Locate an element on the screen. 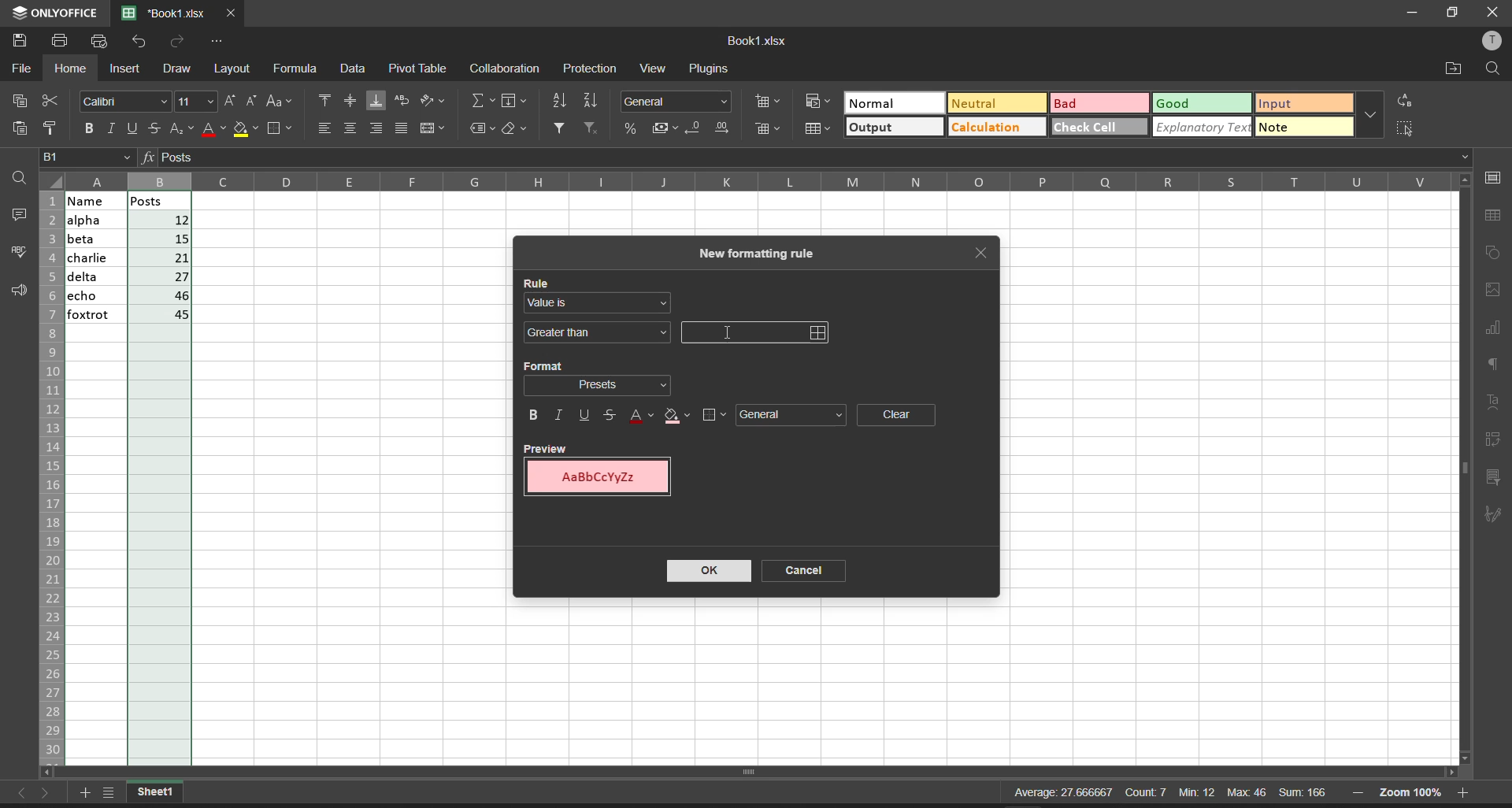  sort descending is located at coordinates (592, 101).